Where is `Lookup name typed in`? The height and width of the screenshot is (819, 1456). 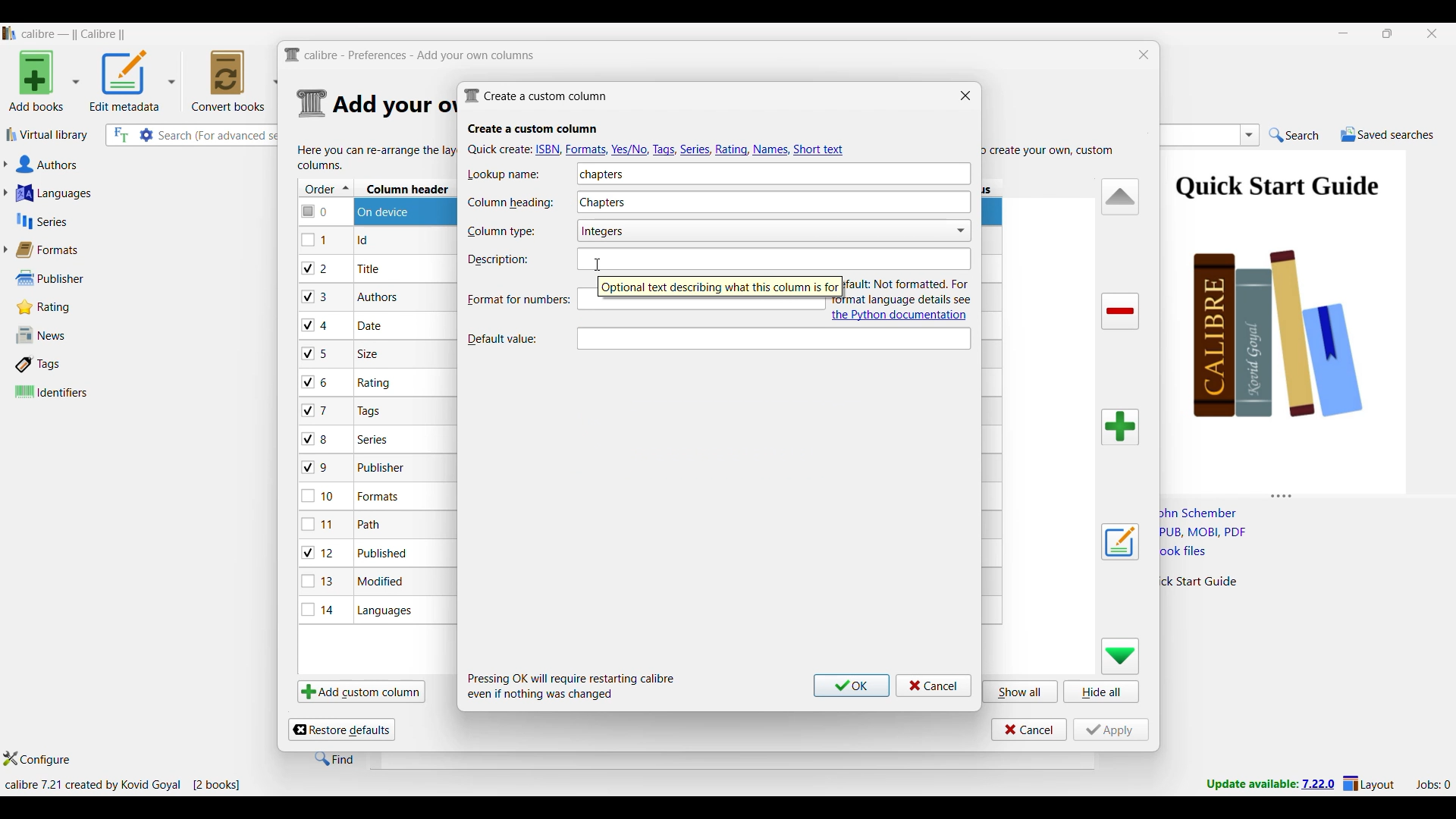 Lookup name typed in is located at coordinates (585, 174).